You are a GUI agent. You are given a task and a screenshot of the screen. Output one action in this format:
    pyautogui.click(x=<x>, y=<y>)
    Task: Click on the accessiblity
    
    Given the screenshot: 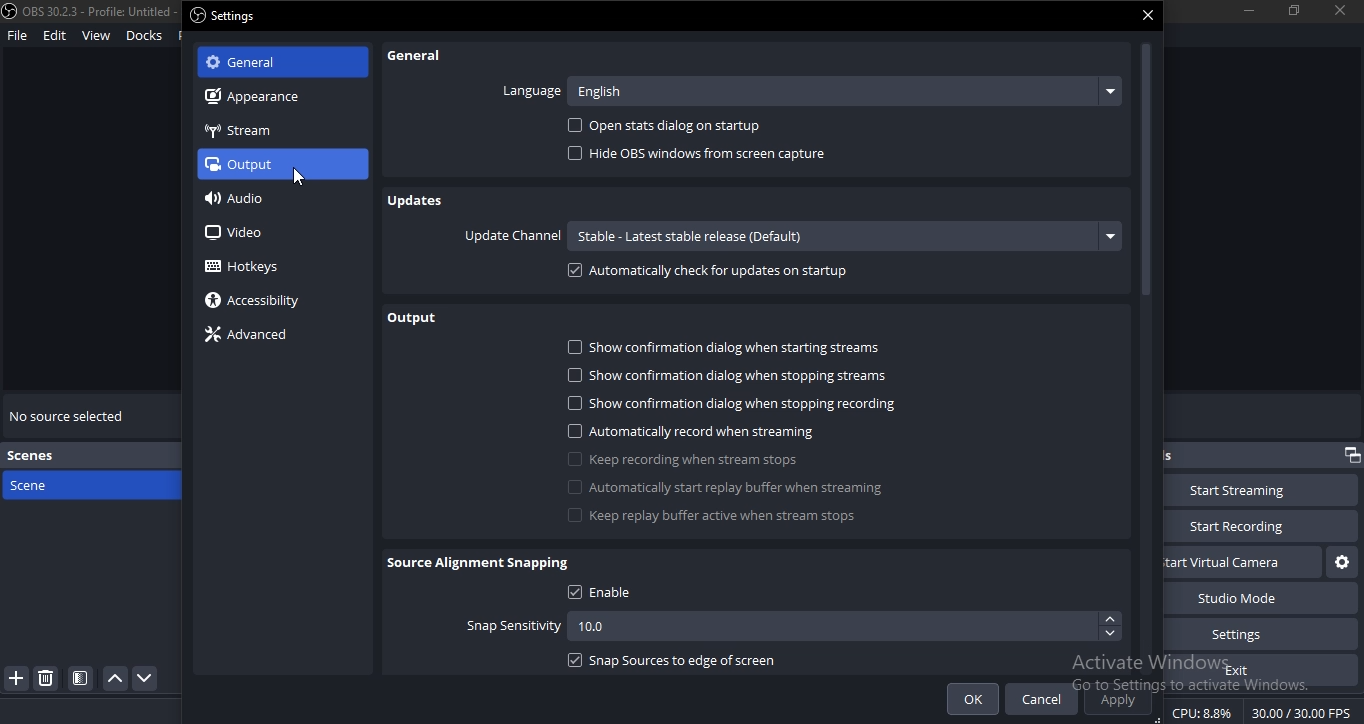 What is the action you would take?
    pyautogui.click(x=256, y=301)
    